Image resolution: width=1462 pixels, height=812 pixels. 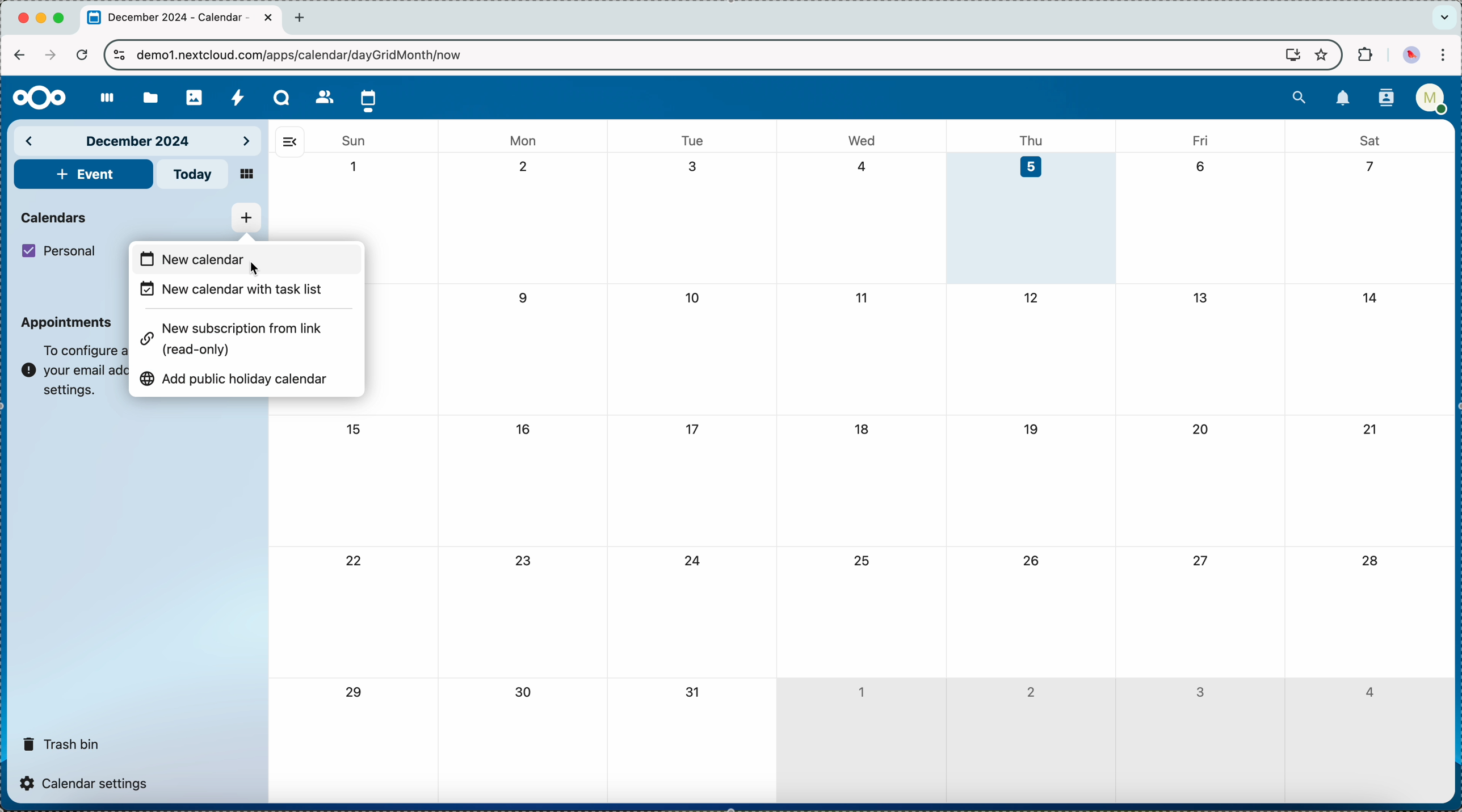 What do you see at coordinates (694, 299) in the screenshot?
I see `10` at bounding box center [694, 299].